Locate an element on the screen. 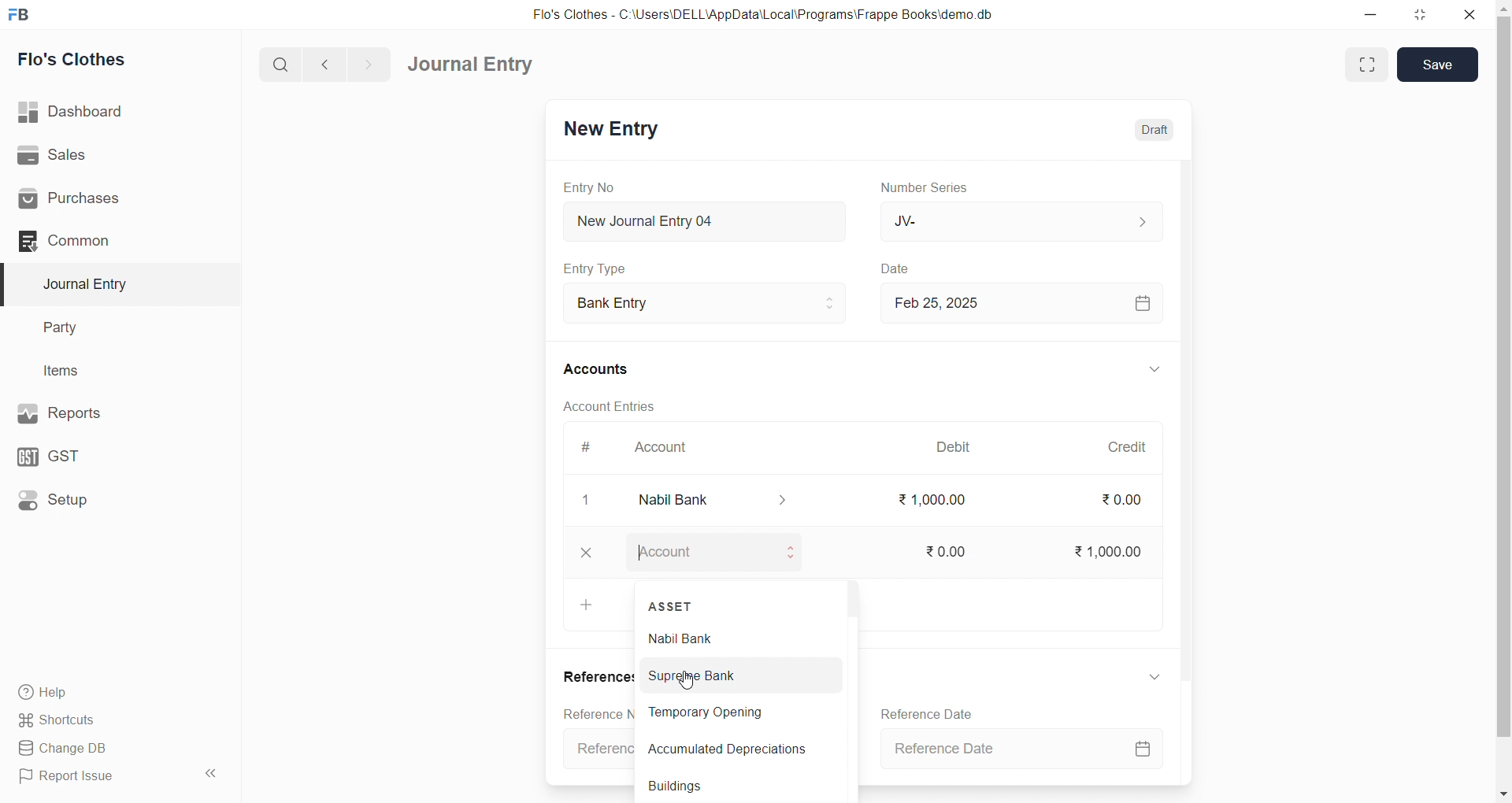 The image size is (1512, 803). close is located at coordinates (587, 500).